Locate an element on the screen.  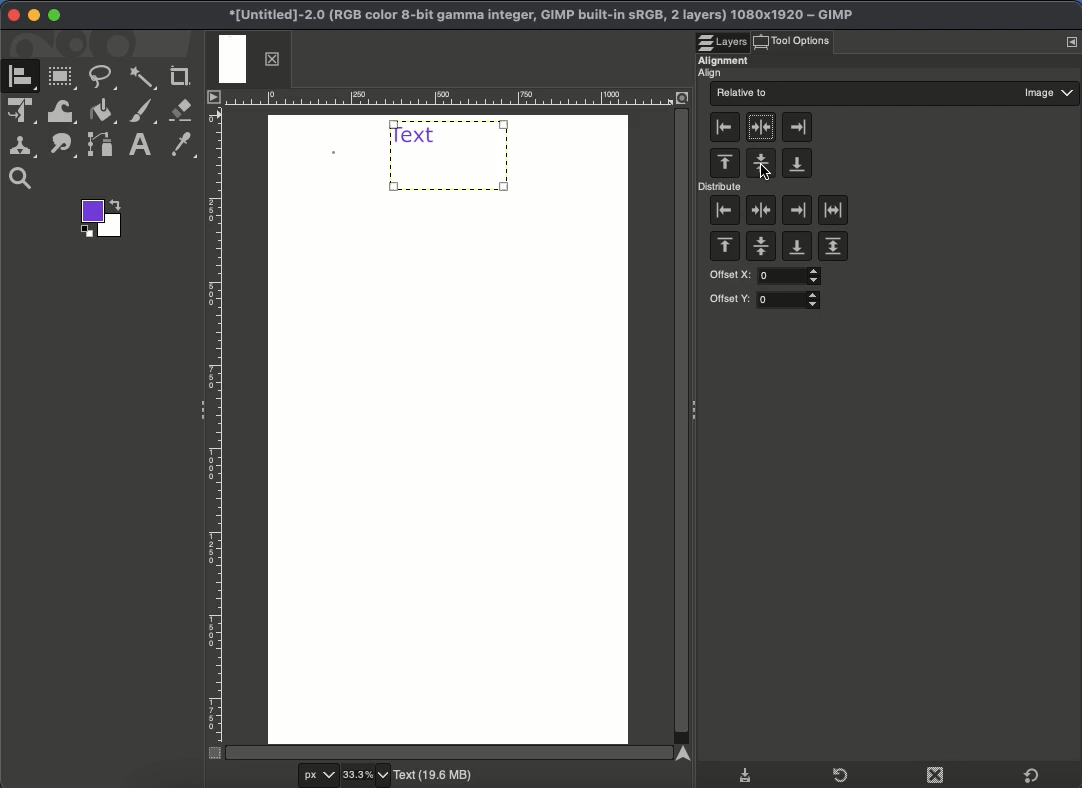
Distribute top edges is located at coordinates (724, 248).